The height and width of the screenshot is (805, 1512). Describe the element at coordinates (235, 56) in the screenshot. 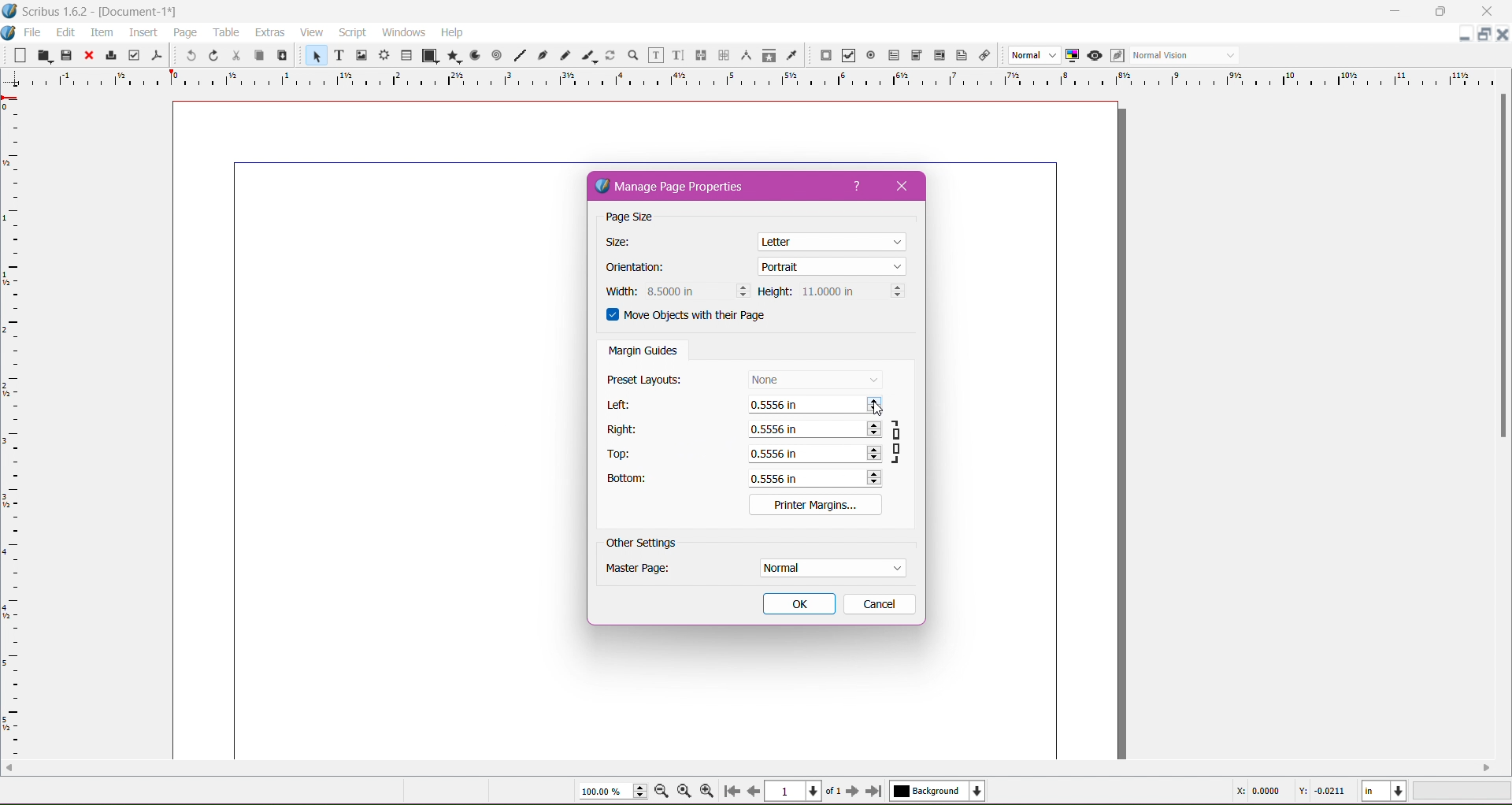

I see `Cut` at that location.